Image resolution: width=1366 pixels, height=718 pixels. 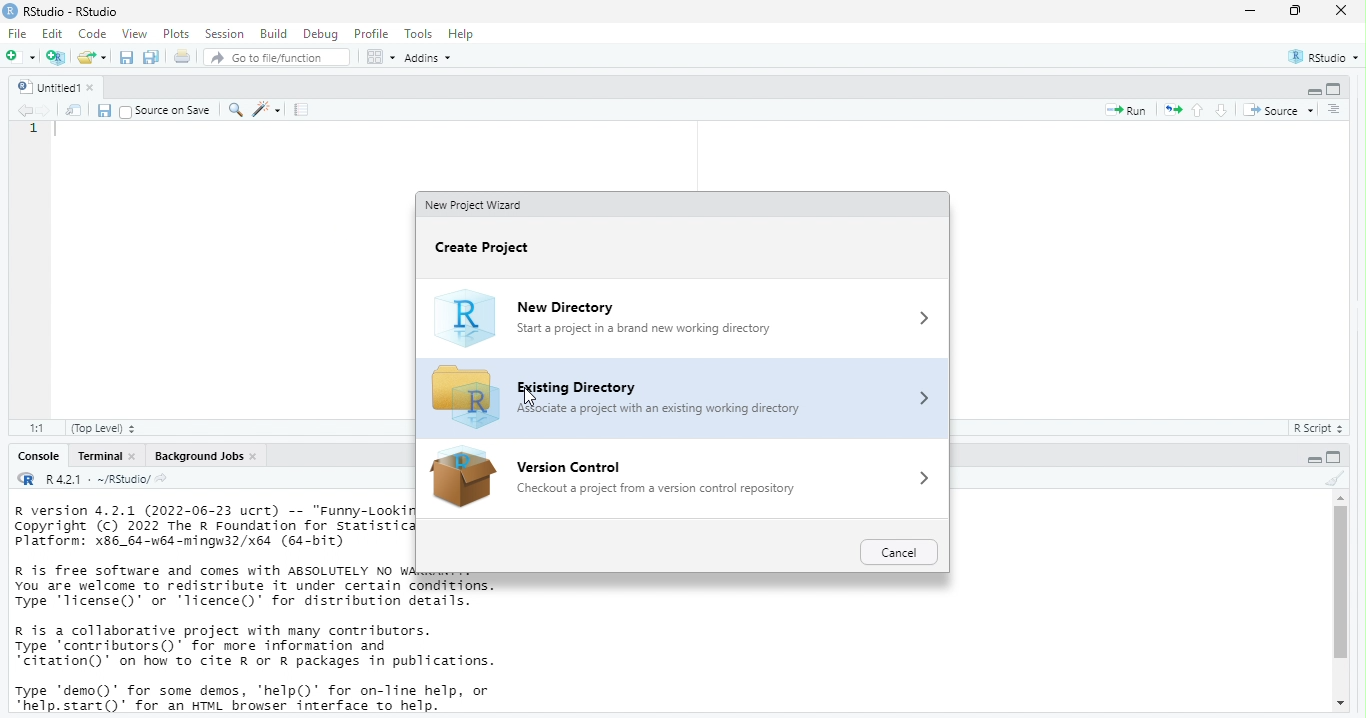 I want to click on profile, so click(x=373, y=34).